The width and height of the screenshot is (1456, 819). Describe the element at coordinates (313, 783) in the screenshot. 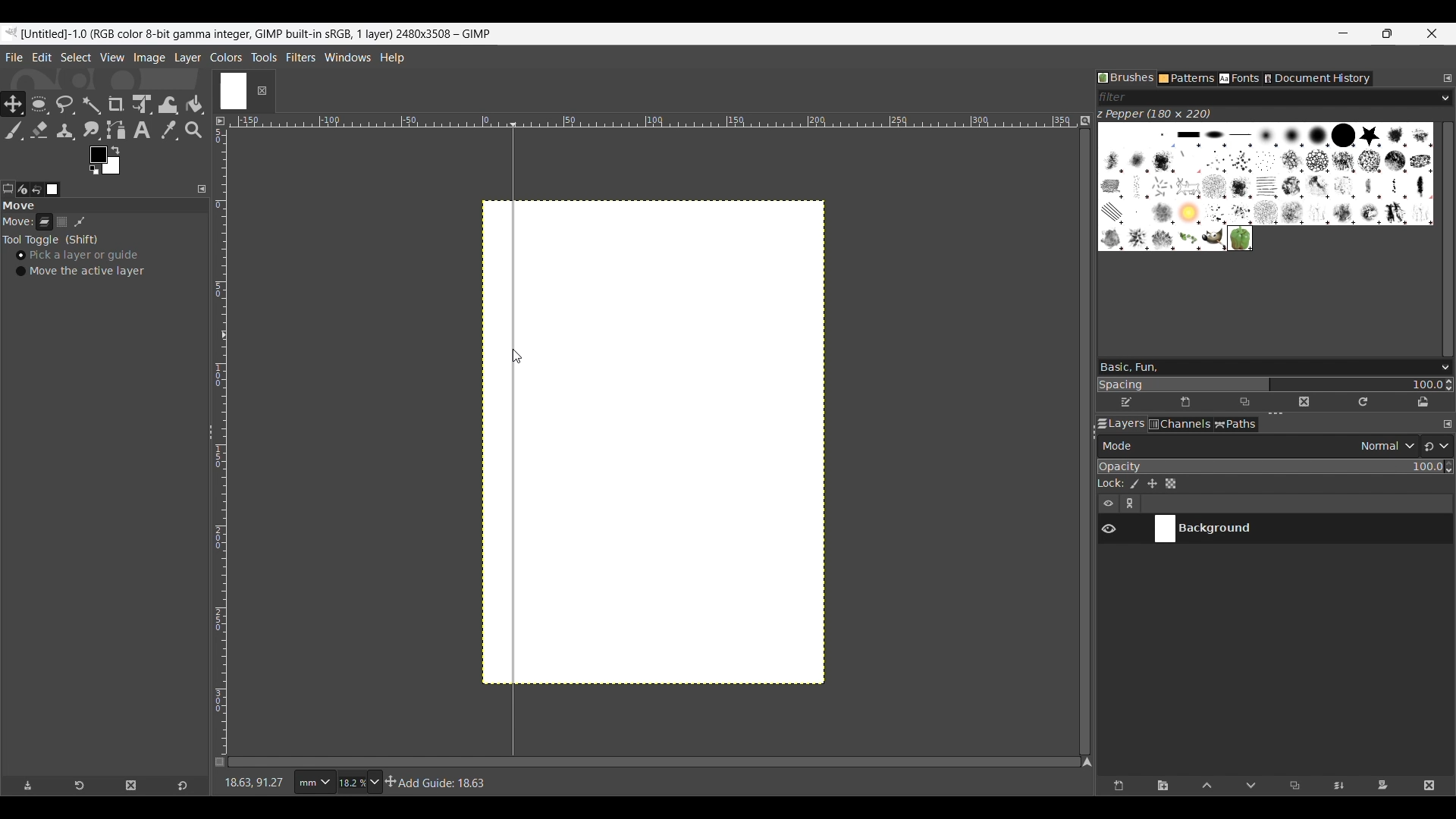

I see `Ruler measurement` at that location.